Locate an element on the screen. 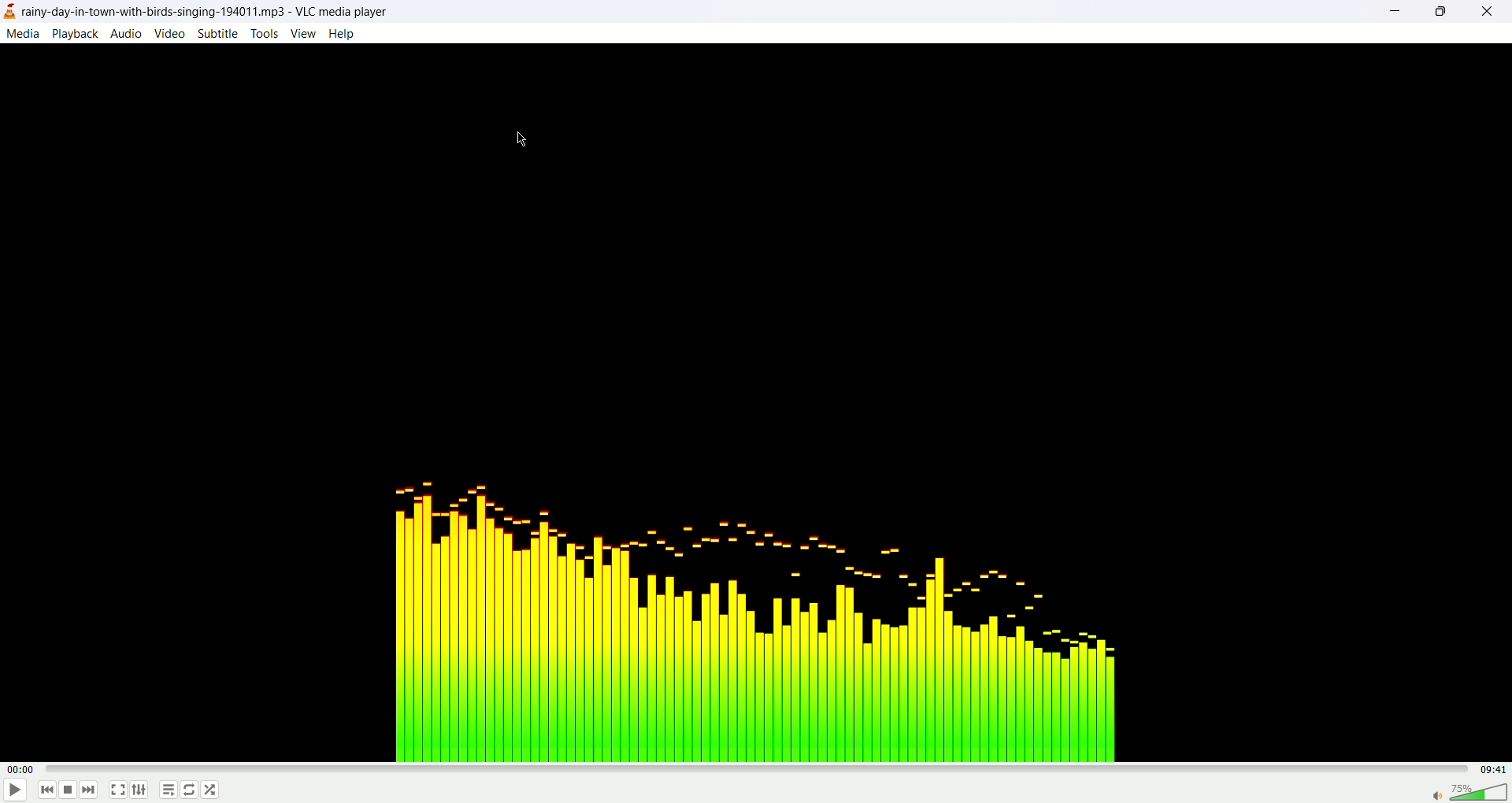 This screenshot has height=803, width=1512. volume bar is located at coordinates (1470, 791).